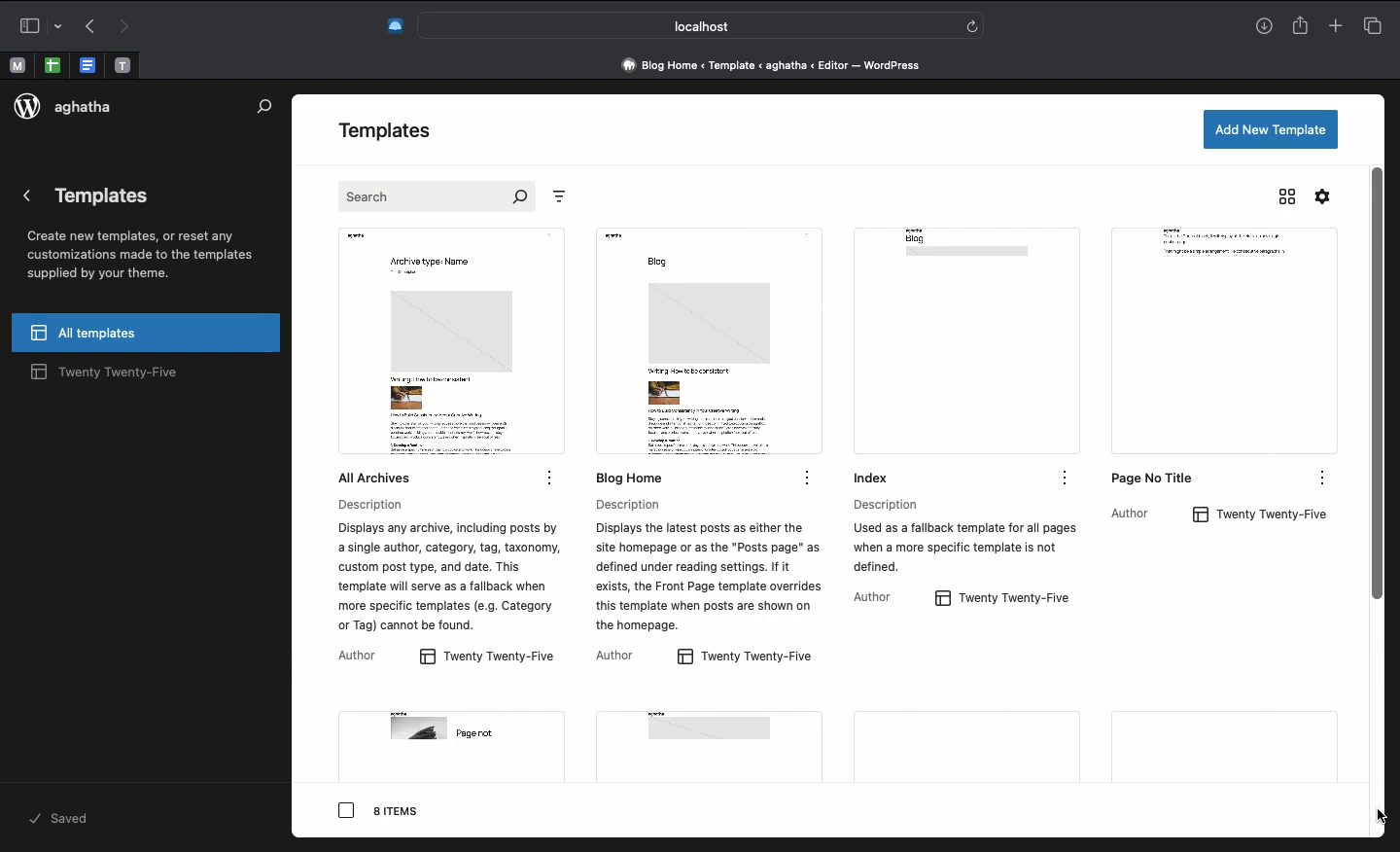  Describe the element at coordinates (119, 373) in the screenshot. I see `twenty twenty-five` at that location.